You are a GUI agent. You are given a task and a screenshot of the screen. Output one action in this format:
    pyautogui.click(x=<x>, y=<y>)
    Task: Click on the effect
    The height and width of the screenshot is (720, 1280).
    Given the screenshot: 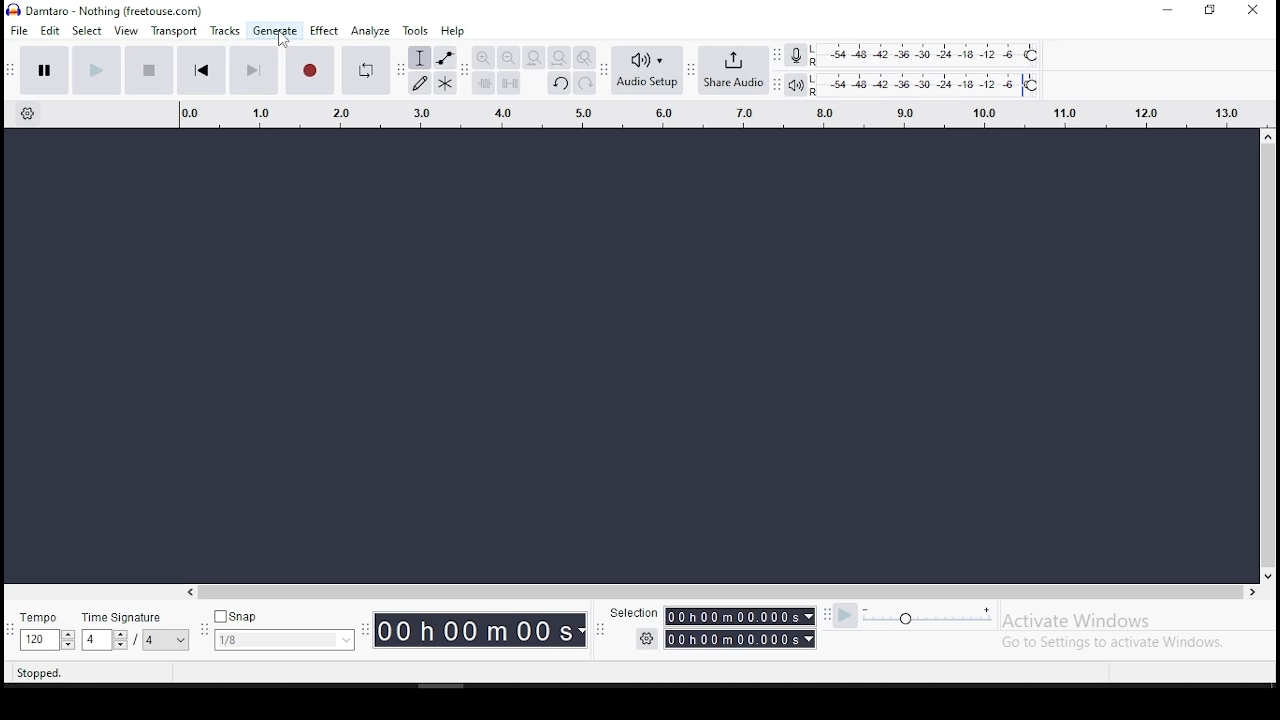 What is the action you would take?
    pyautogui.click(x=325, y=31)
    